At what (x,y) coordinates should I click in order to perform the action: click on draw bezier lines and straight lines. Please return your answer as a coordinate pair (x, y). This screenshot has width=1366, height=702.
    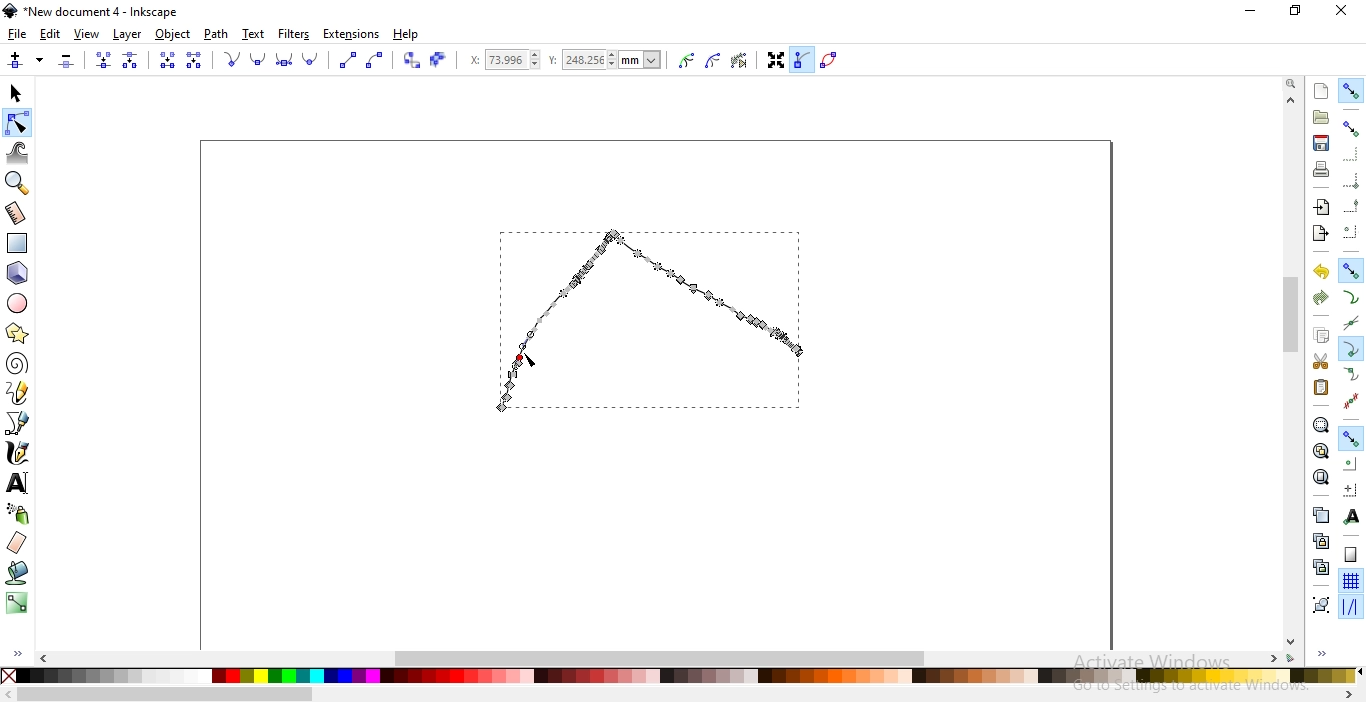
    Looking at the image, I should click on (18, 423).